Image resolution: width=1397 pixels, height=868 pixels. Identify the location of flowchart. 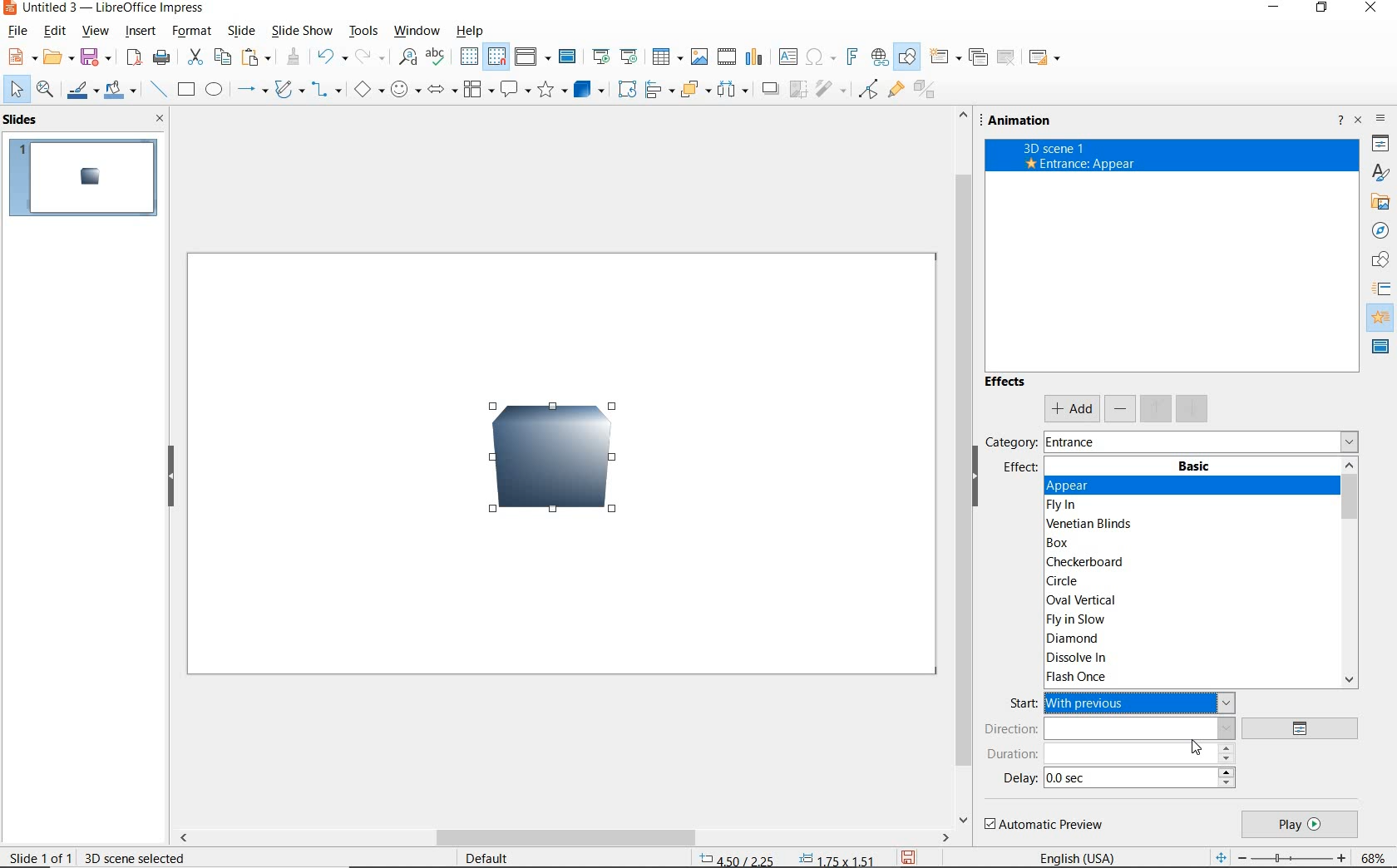
(477, 91).